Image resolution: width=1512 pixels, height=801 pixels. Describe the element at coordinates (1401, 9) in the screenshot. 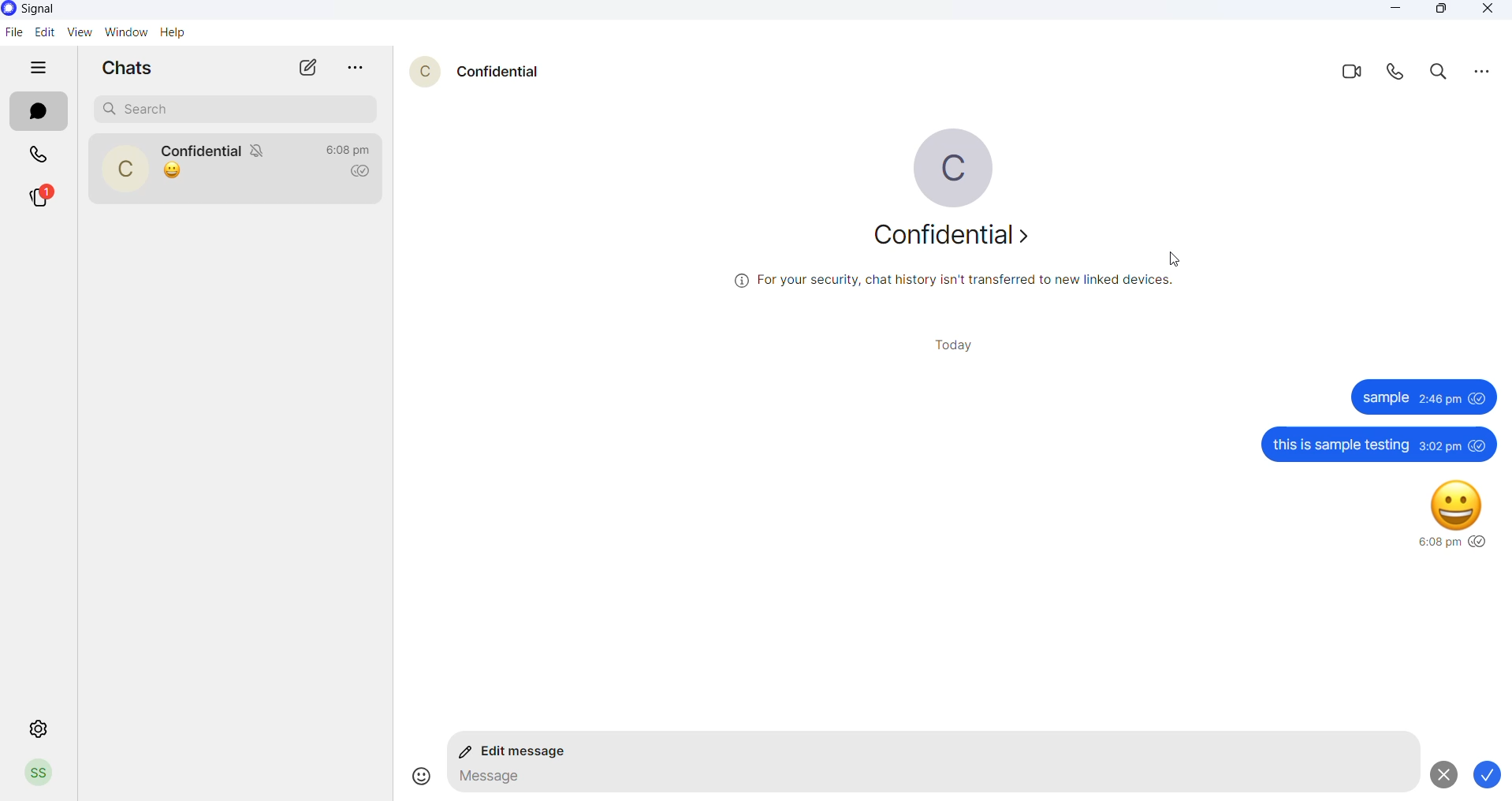

I see `minimize` at that location.